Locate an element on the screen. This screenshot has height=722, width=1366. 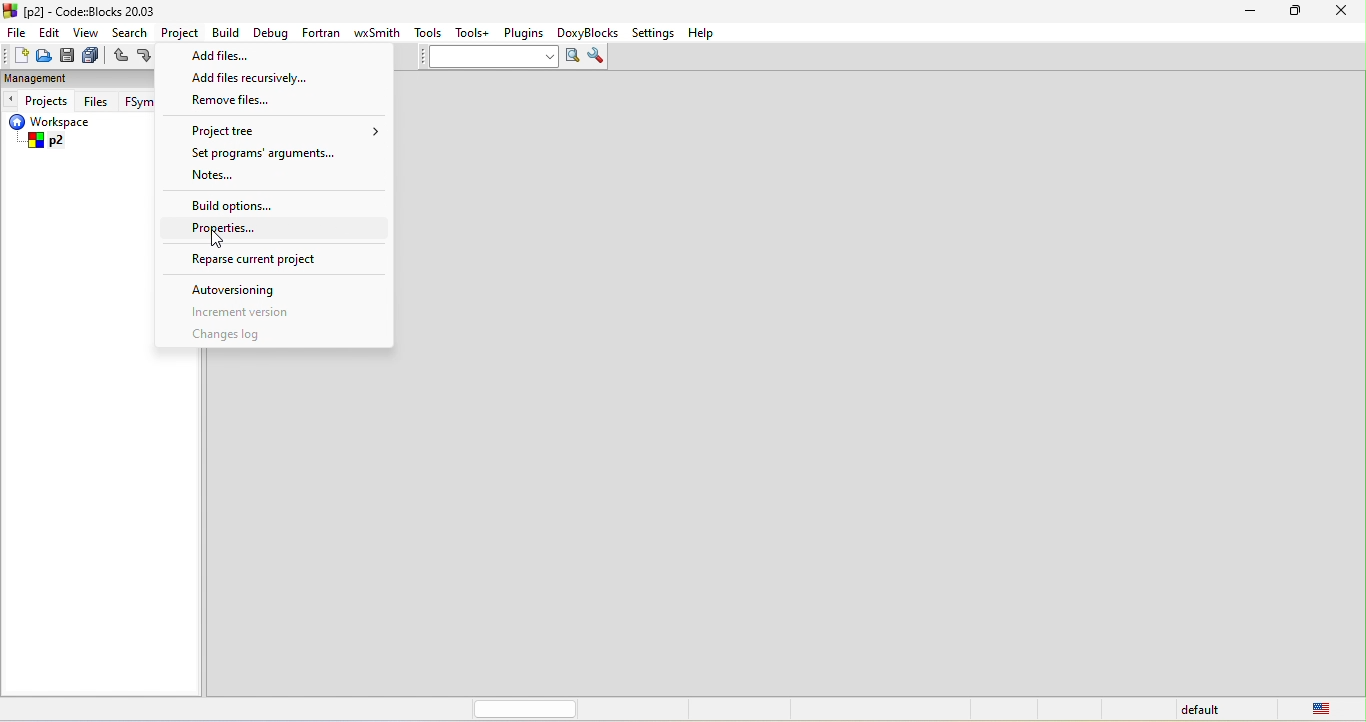
reparse current project is located at coordinates (266, 262).